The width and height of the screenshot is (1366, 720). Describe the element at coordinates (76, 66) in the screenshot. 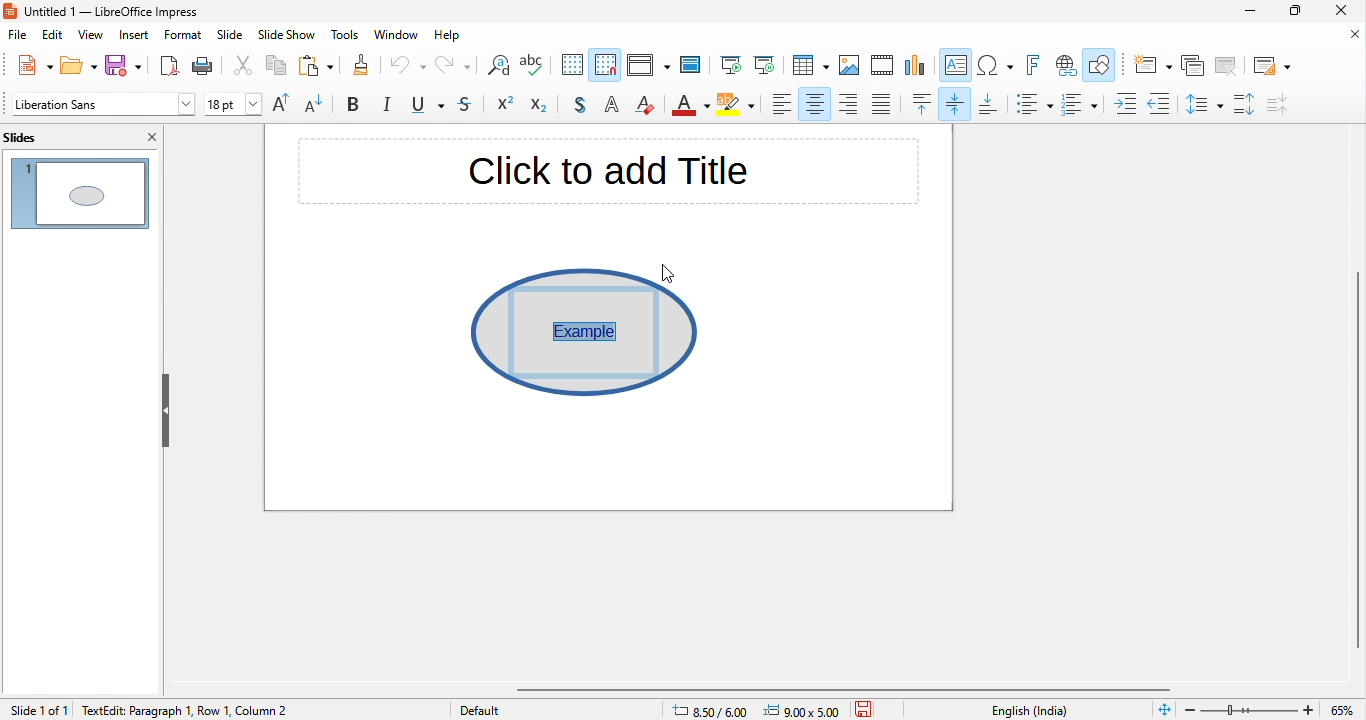

I see `open` at that location.